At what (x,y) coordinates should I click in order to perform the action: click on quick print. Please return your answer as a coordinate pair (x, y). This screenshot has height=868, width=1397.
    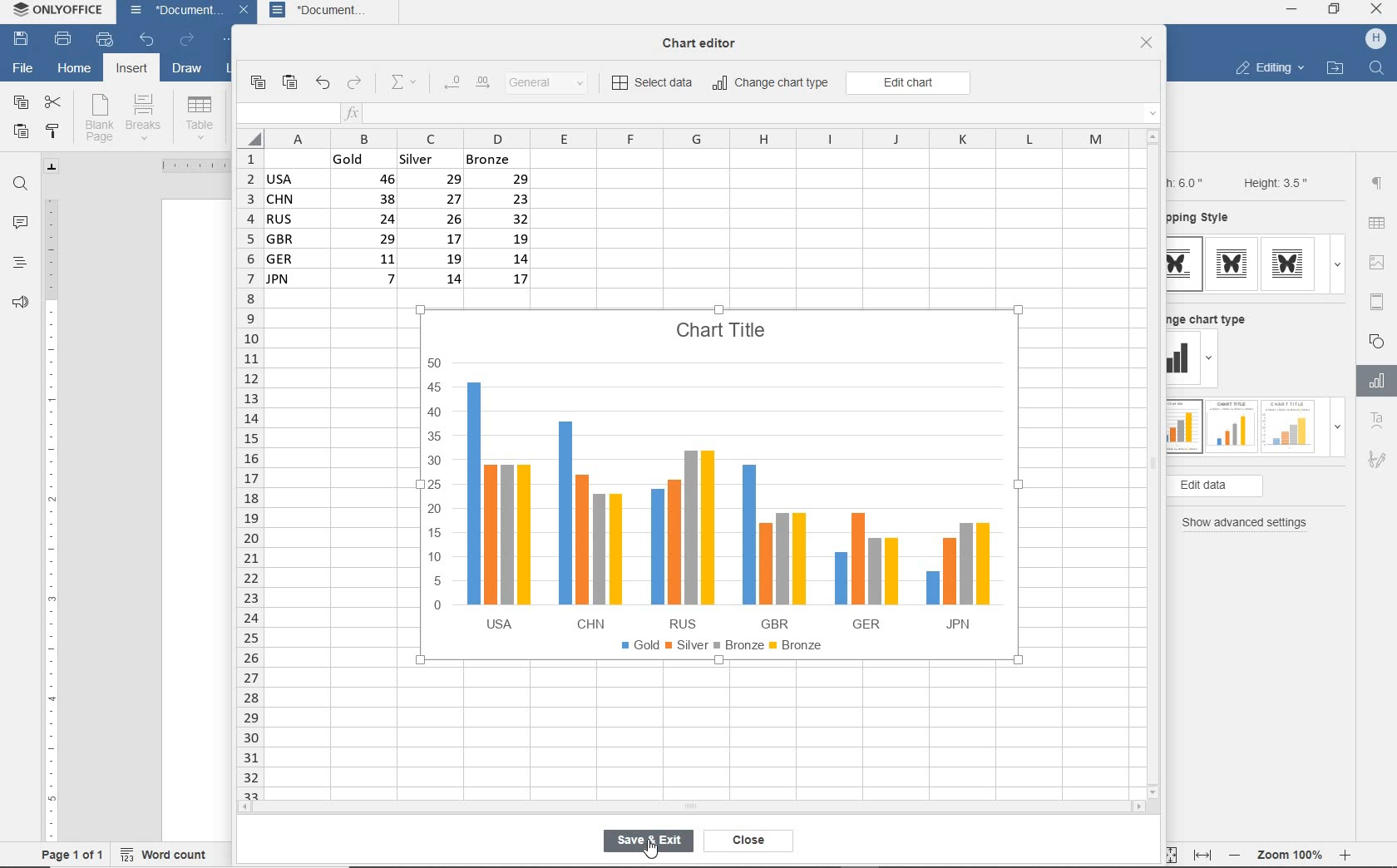
    Looking at the image, I should click on (103, 40).